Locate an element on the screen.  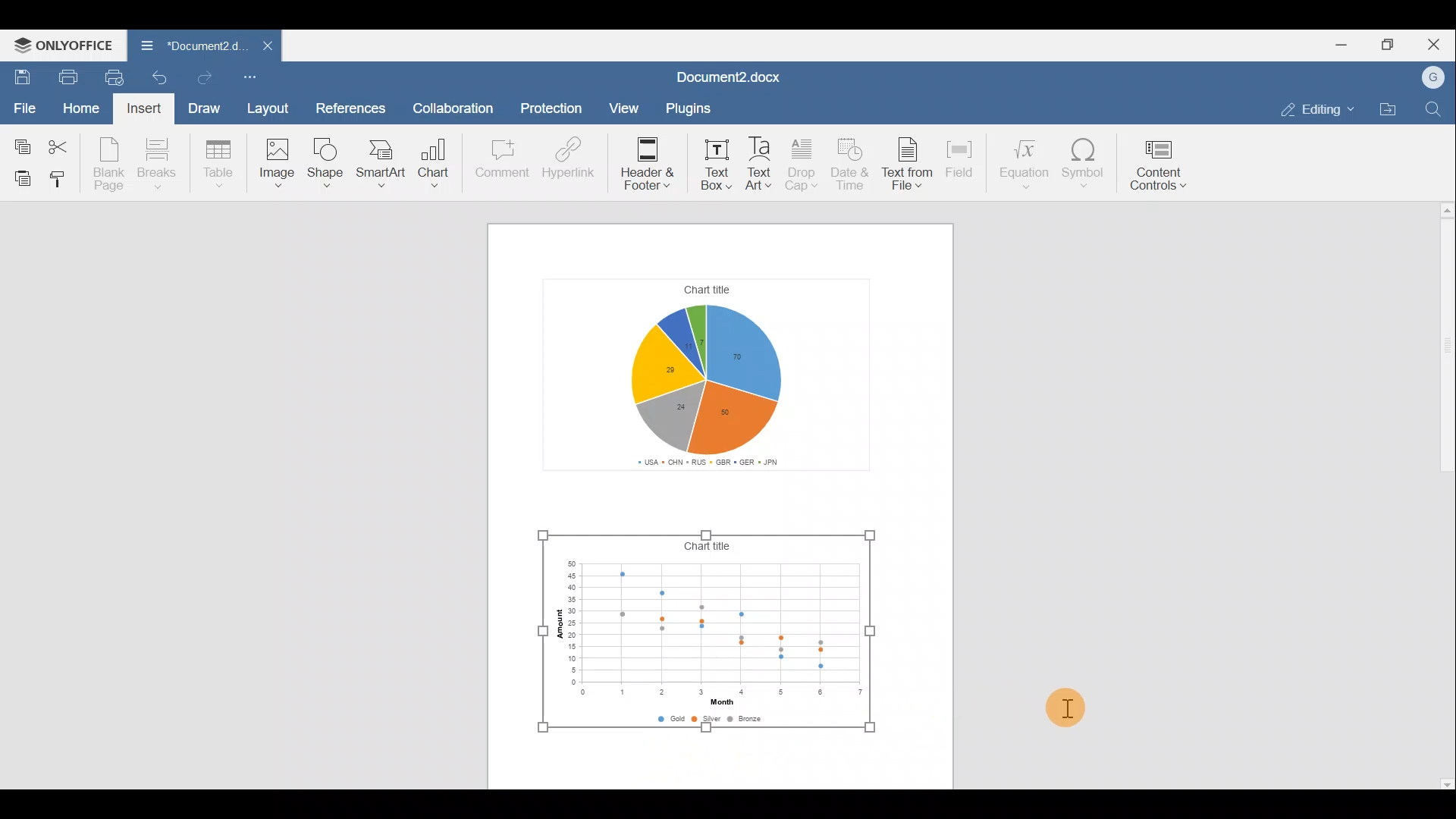
Cursor on Chart is located at coordinates (434, 168).